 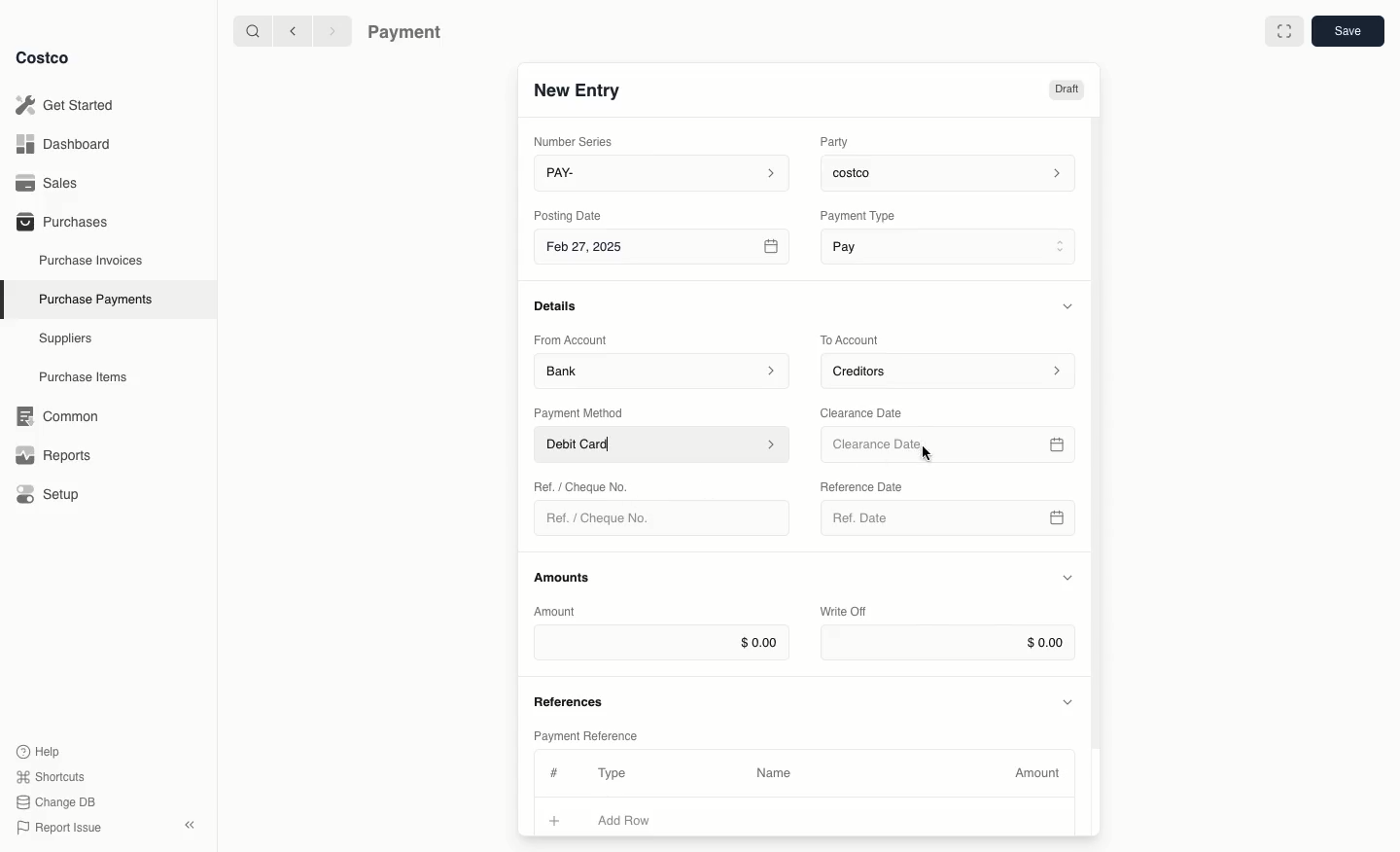 What do you see at coordinates (951, 445) in the screenshot?
I see `Clearance Date` at bounding box center [951, 445].